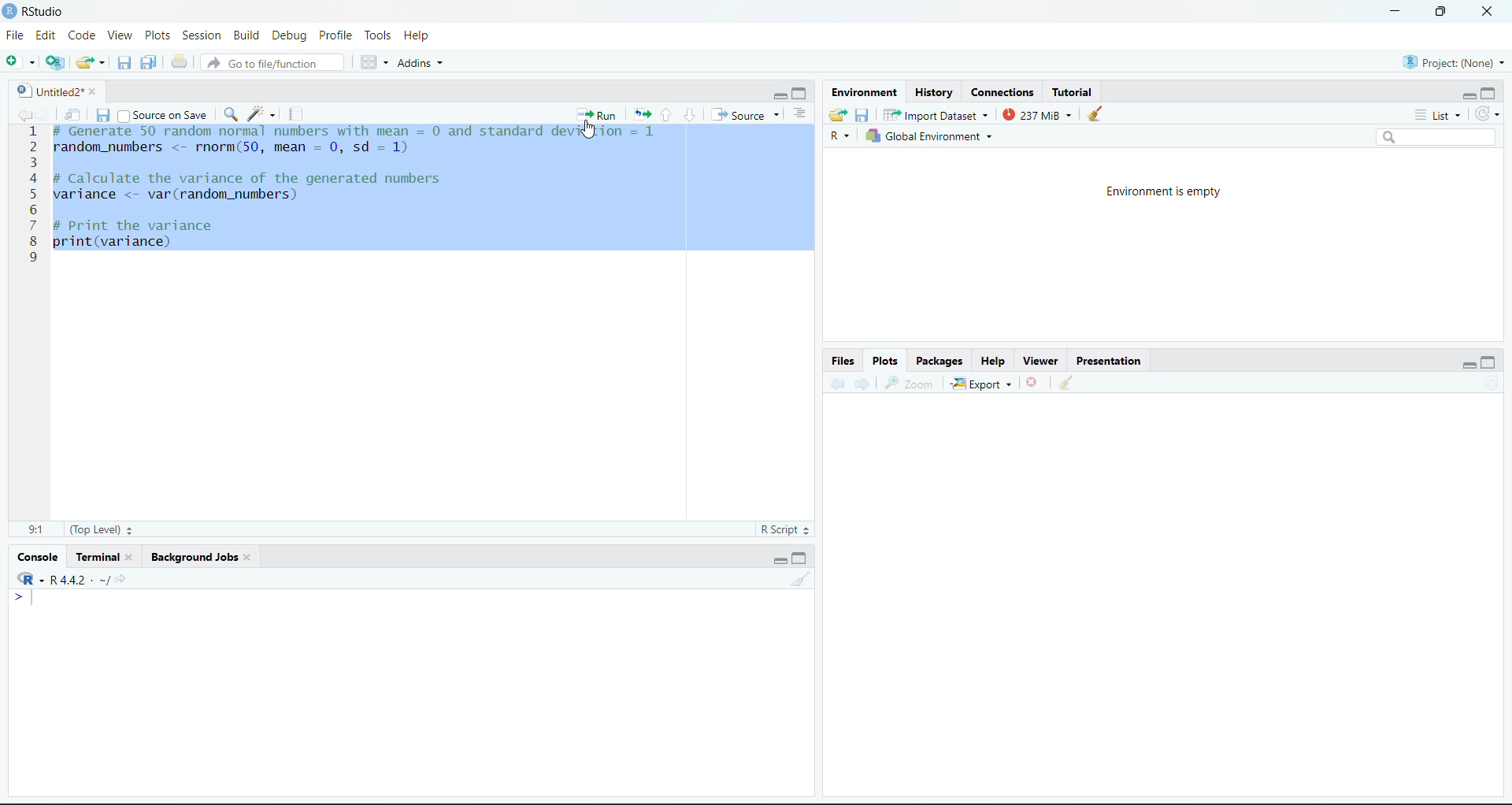 This screenshot has height=805, width=1512. What do you see at coordinates (73, 114) in the screenshot?
I see `open in new window` at bounding box center [73, 114].